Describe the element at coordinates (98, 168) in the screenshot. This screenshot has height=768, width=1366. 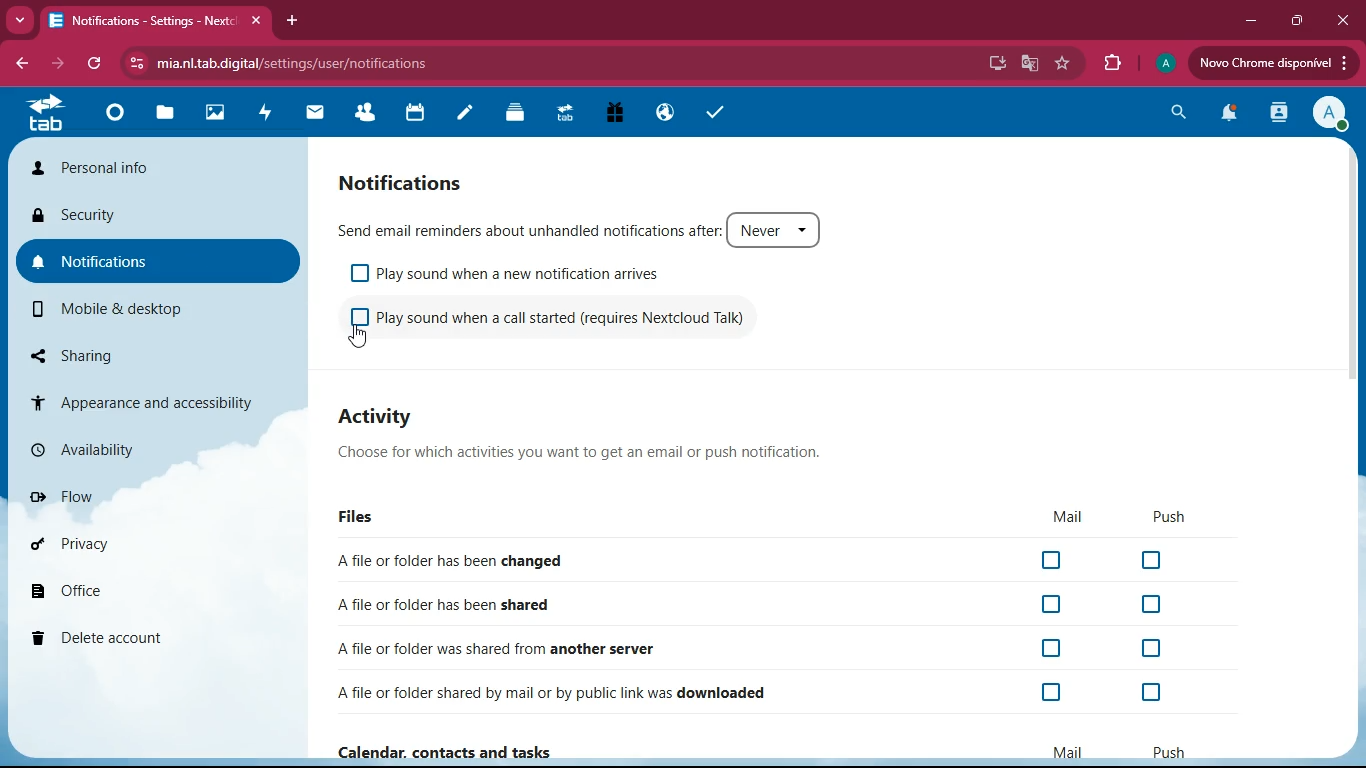
I see `personal info` at that location.